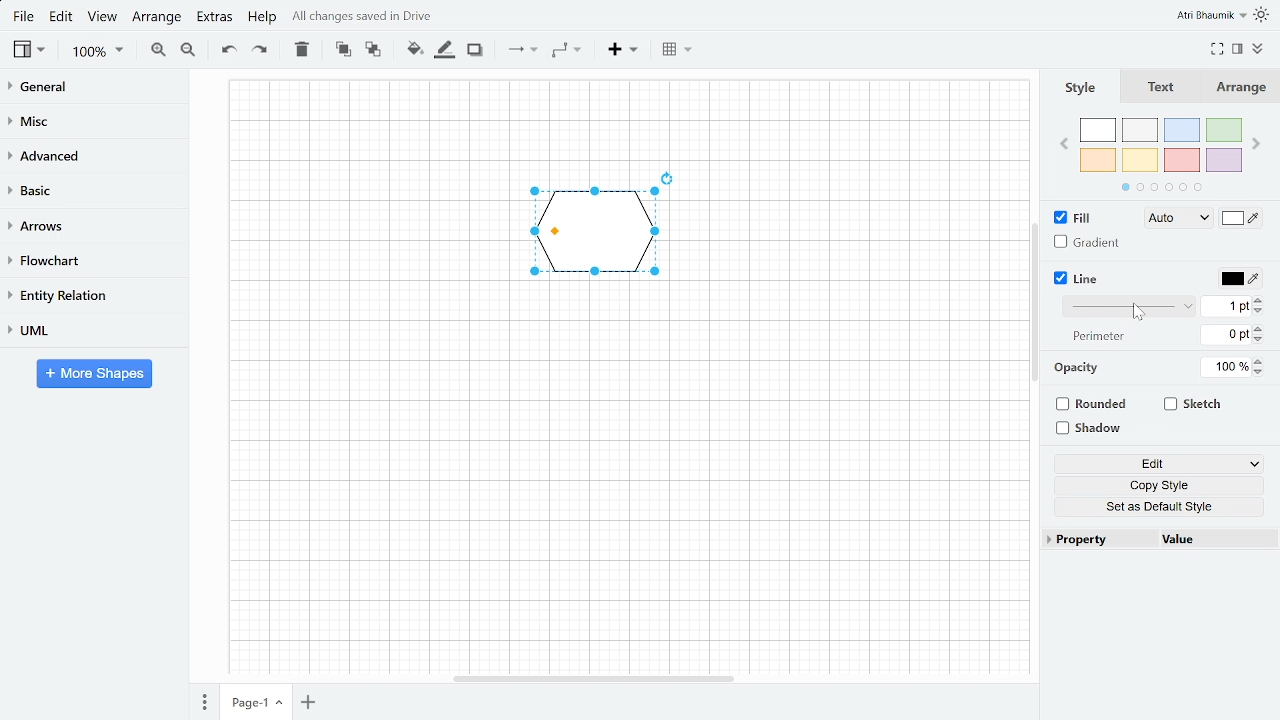 The image size is (1280, 720). What do you see at coordinates (364, 16) in the screenshot?
I see `All changes saved in drive` at bounding box center [364, 16].